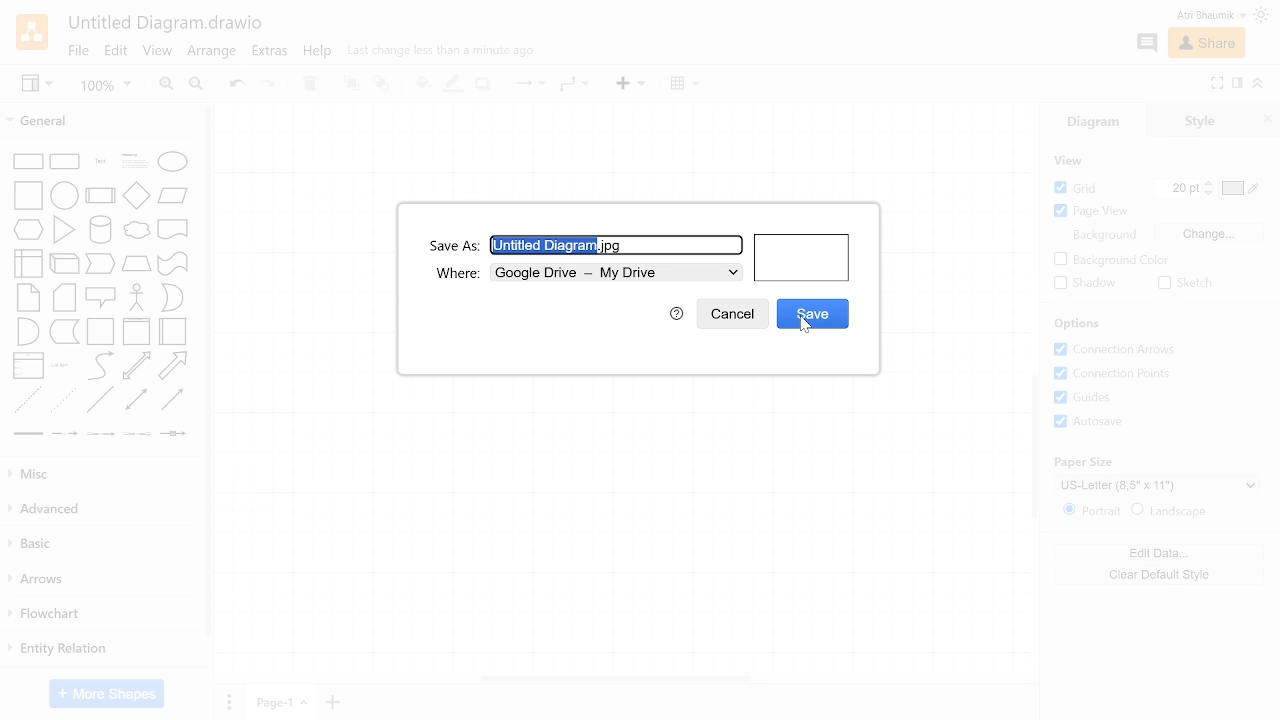 Image resolution: width=1280 pixels, height=720 pixels. Describe the element at coordinates (169, 85) in the screenshot. I see `Zoom in` at that location.